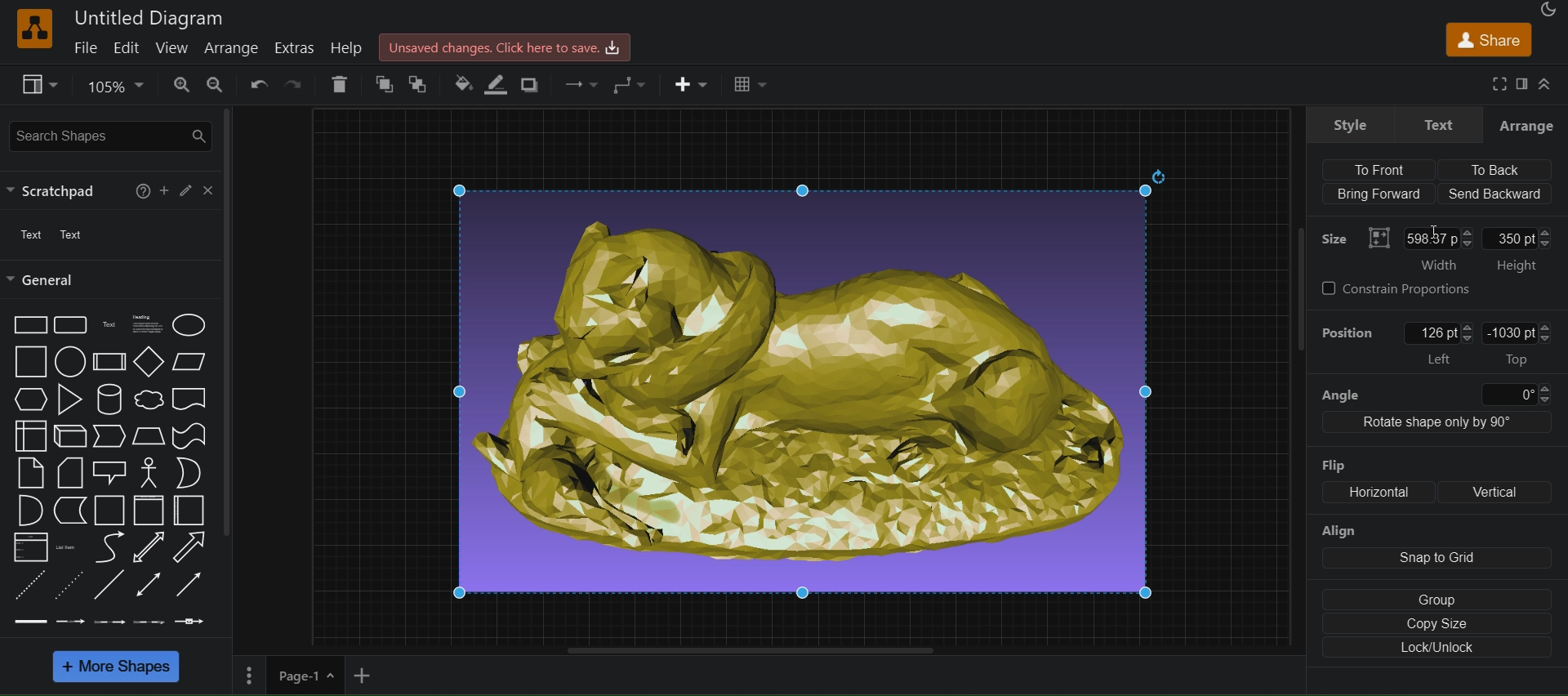  Describe the element at coordinates (740, 649) in the screenshot. I see `horizontal scroll bar` at that location.